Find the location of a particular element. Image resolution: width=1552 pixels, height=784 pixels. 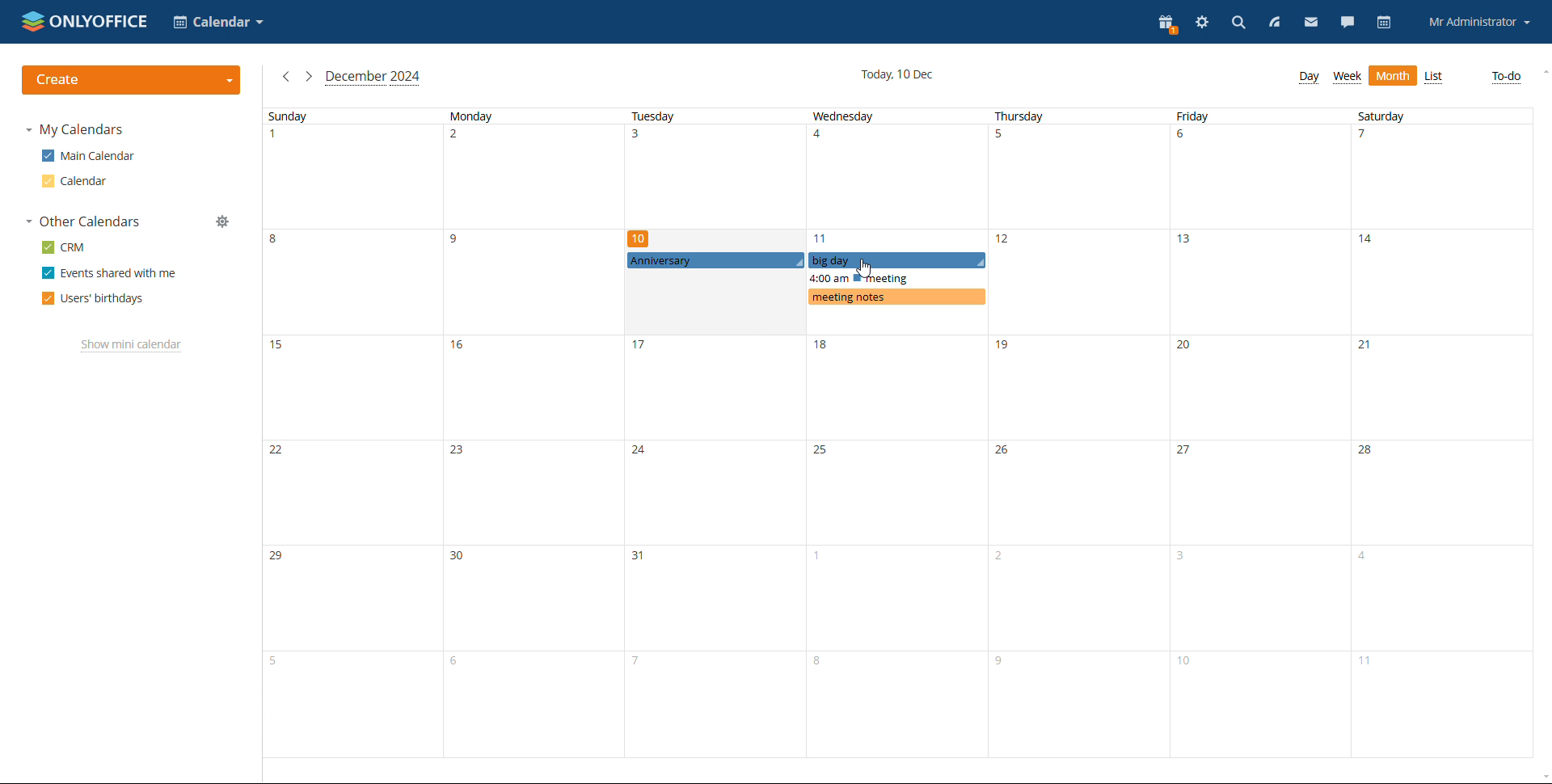

next month is located at coordinates (309, 76).